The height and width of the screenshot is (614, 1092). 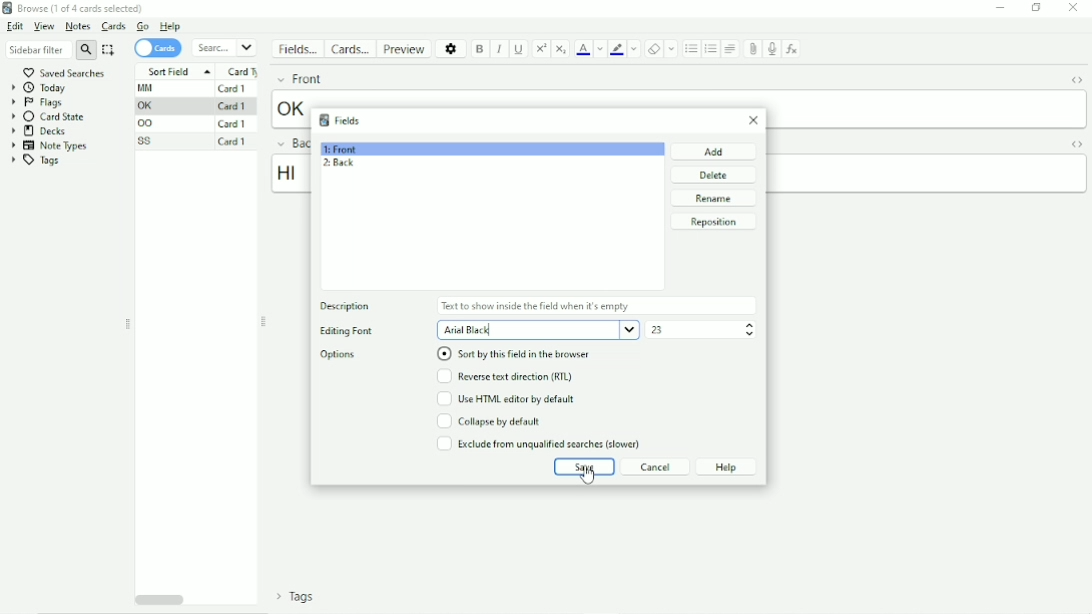 I want to click on Card 1, so click(x=232, y=106).